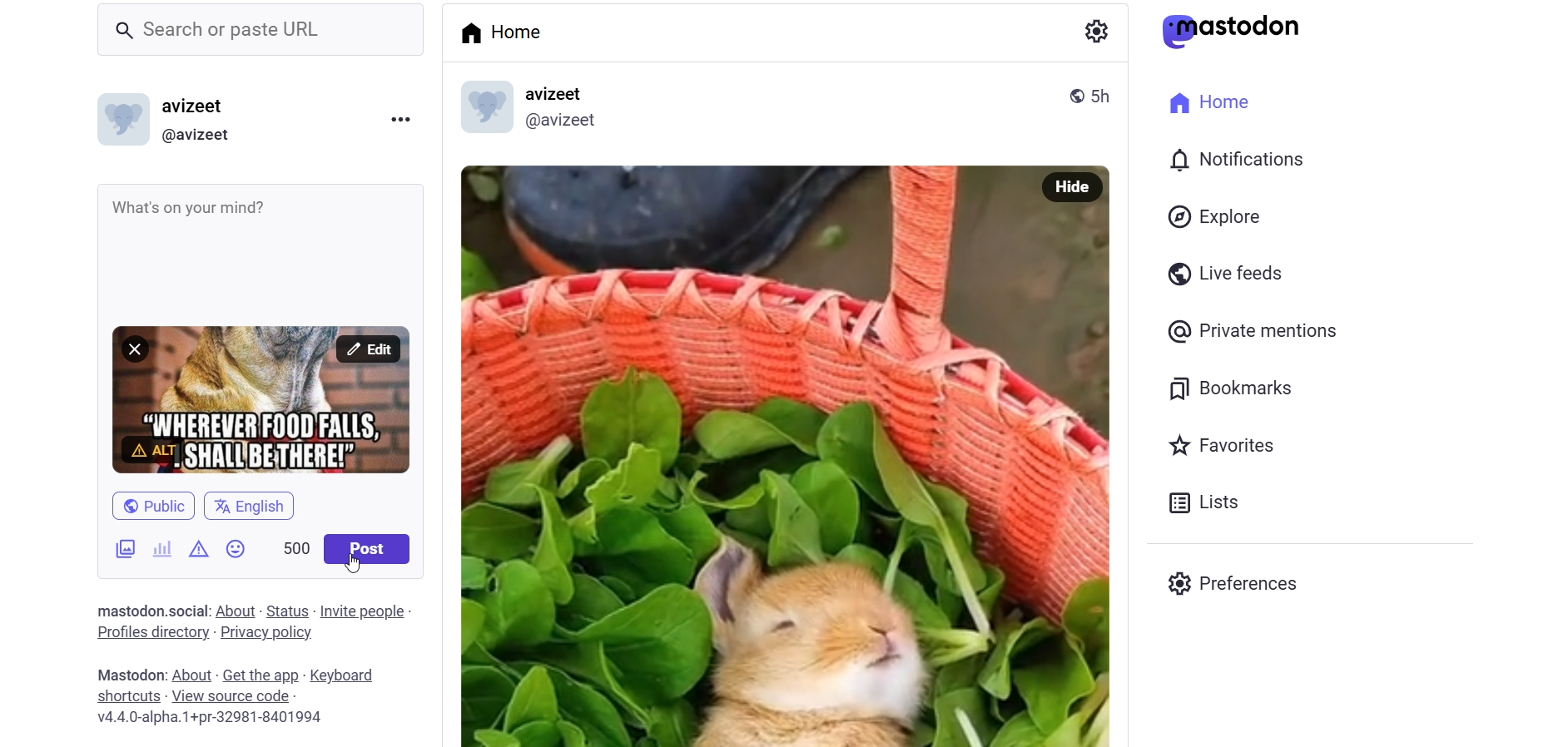  What do you see at coordinates (1223, 276) in the screenshot?
I see `live feed ` at bounding box center [1223, 276].